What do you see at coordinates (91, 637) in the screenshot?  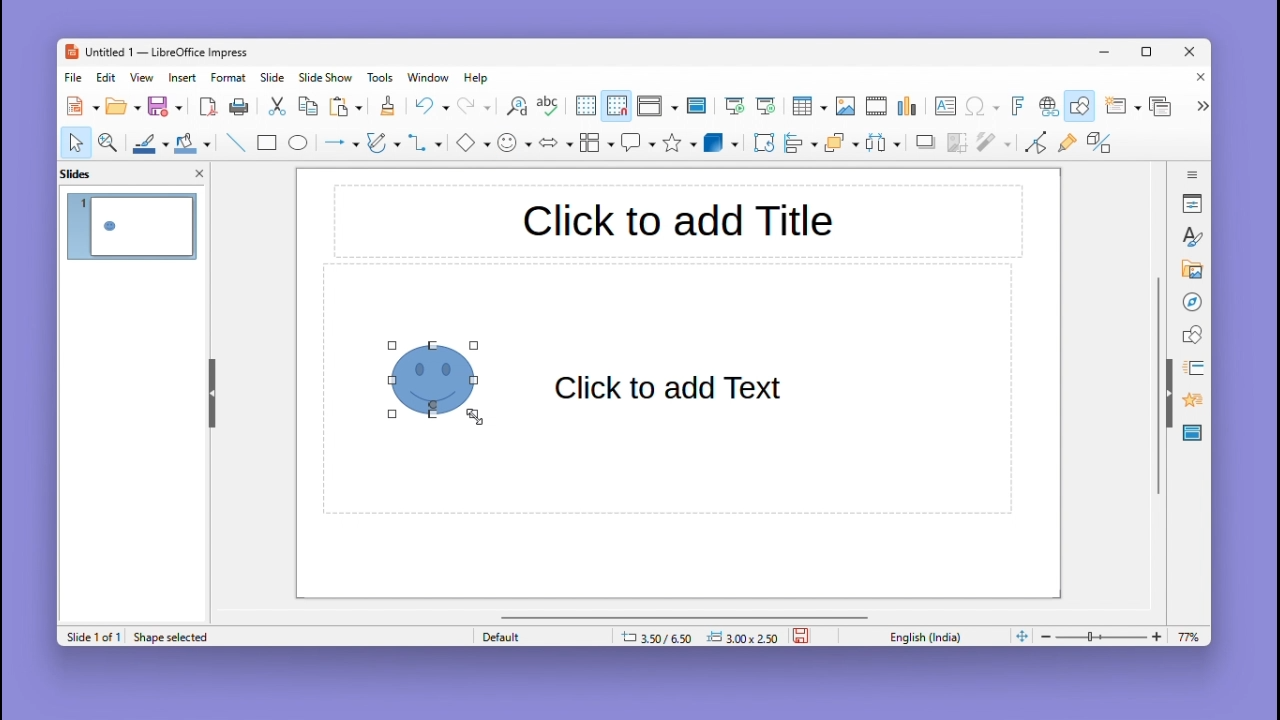 I see `Slide one of one` at bounding box center [91, 637].